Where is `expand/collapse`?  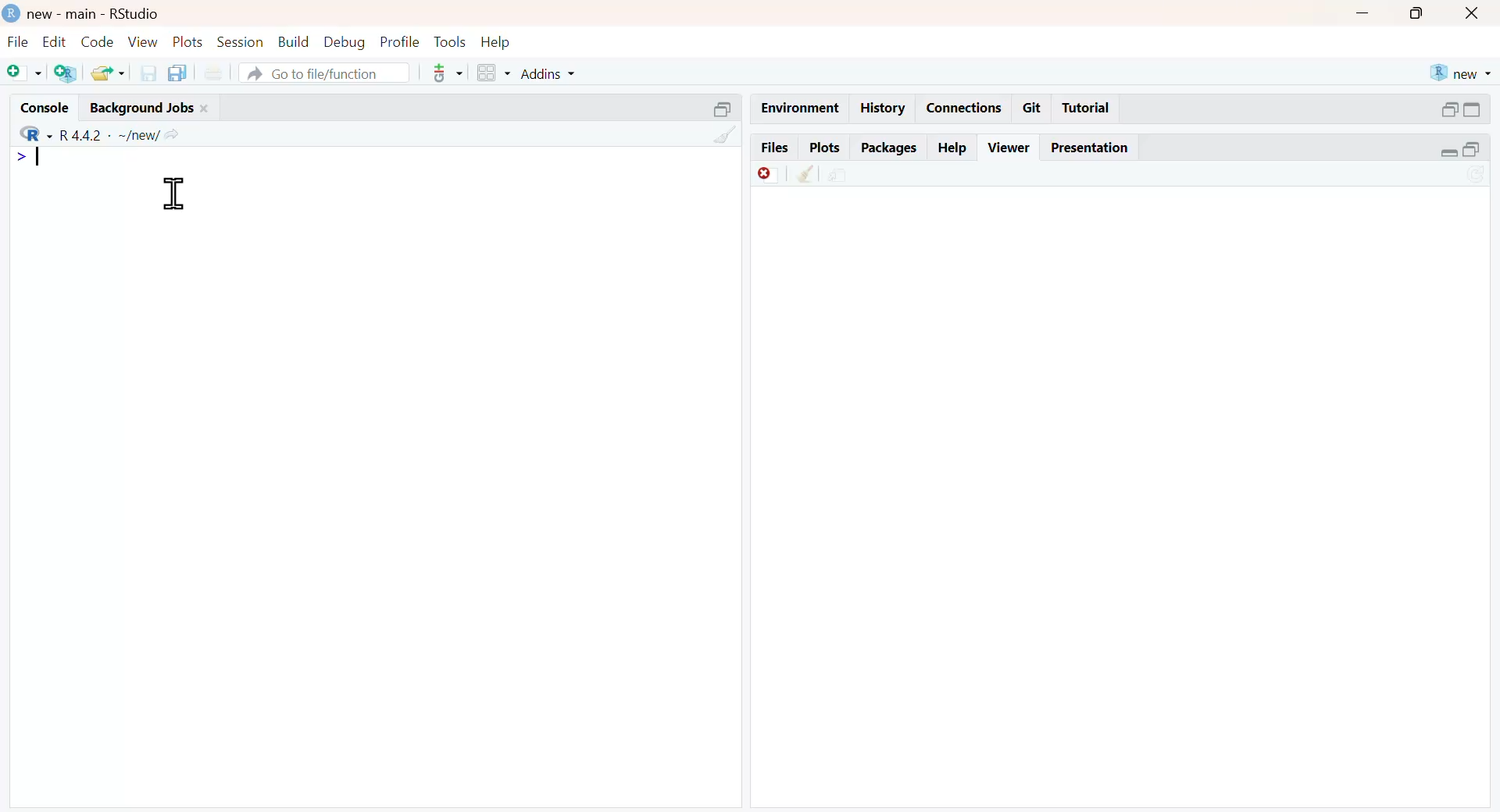
expand/collapse is located at coordinates (1448, 152).